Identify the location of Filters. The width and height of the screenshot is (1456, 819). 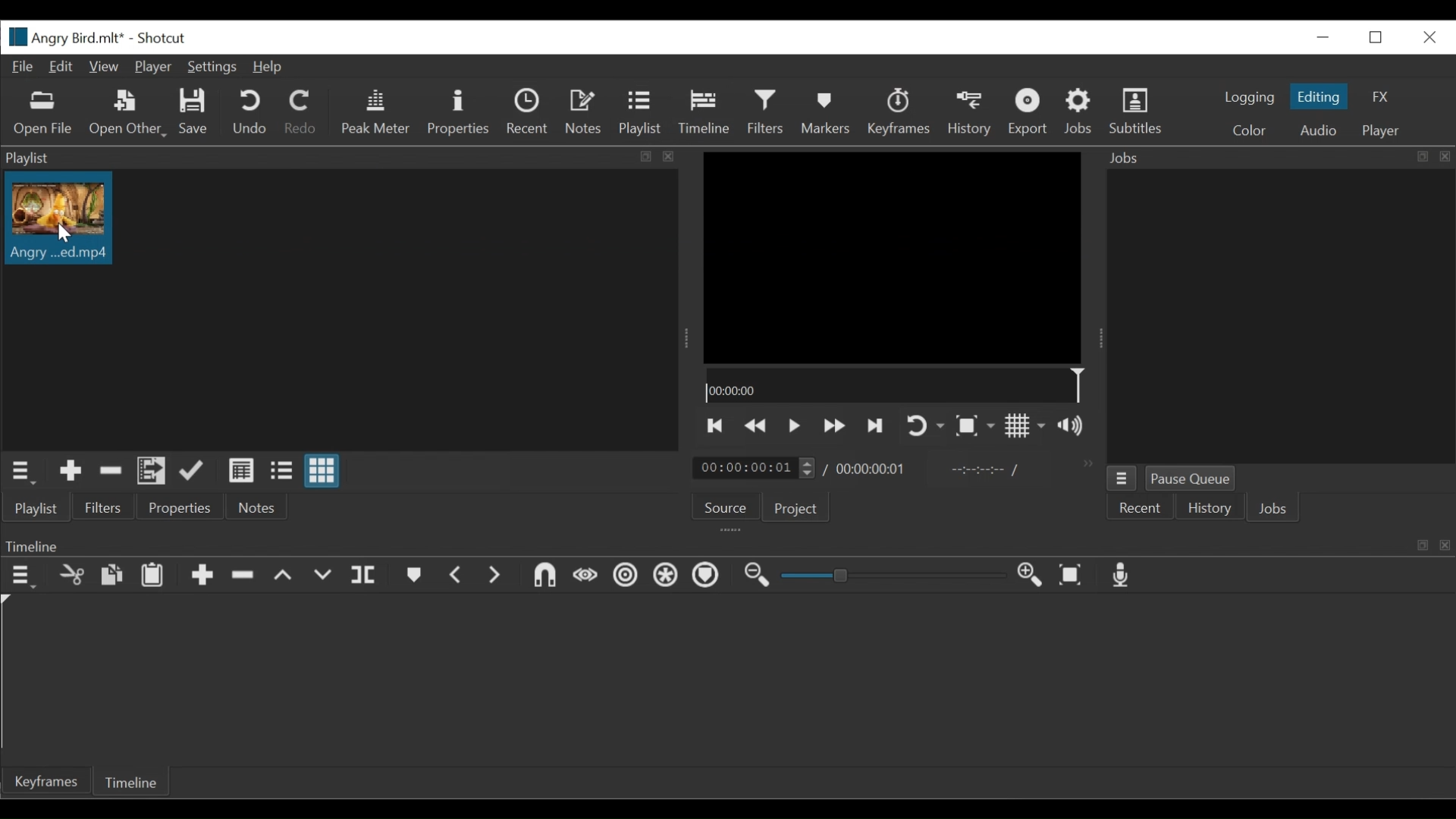
(102, 510).